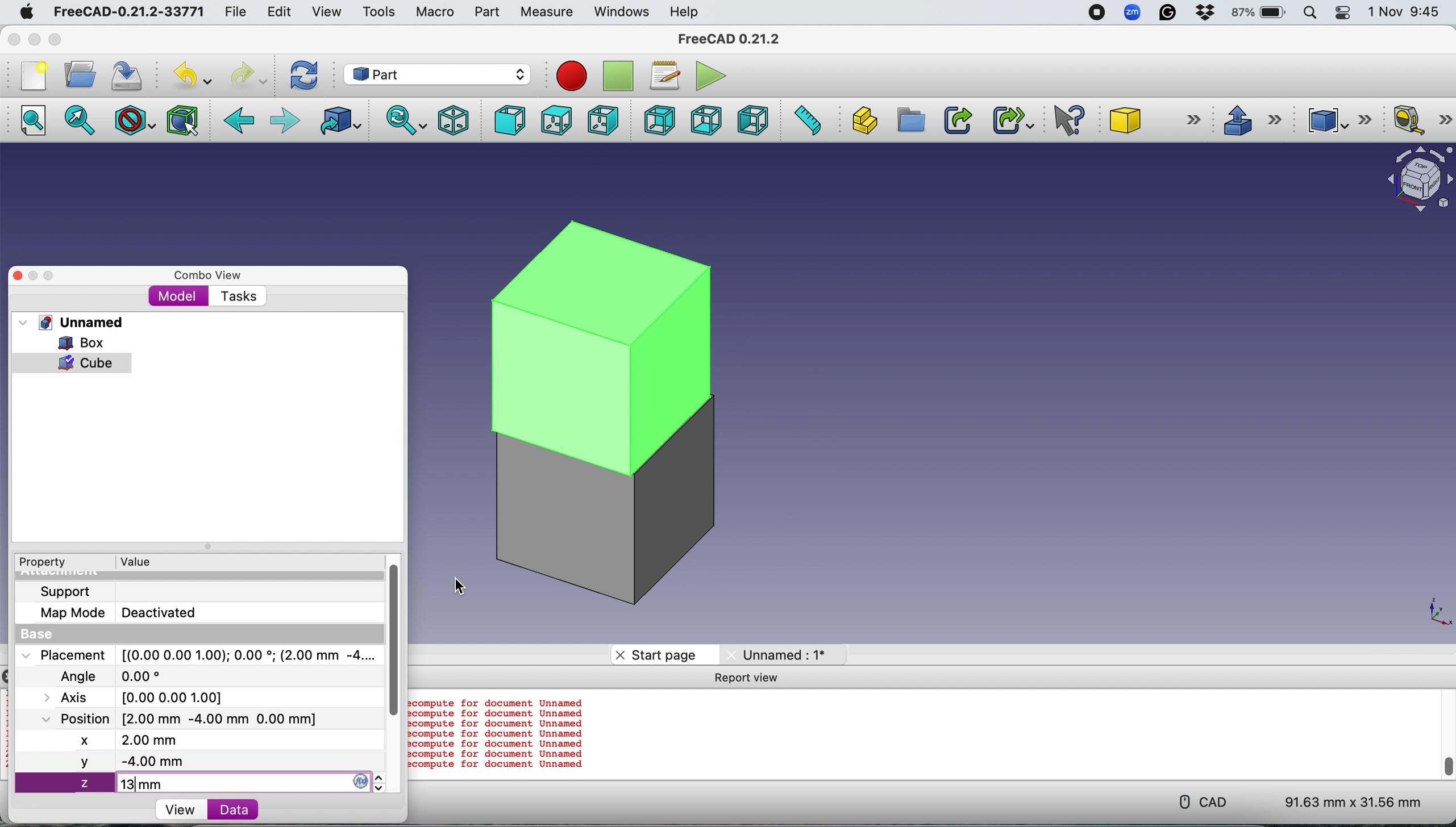  What do you see at coordinates (1336, 120) in the screenshot?
I see `Compound tools` at bounding box center [1336, 120].